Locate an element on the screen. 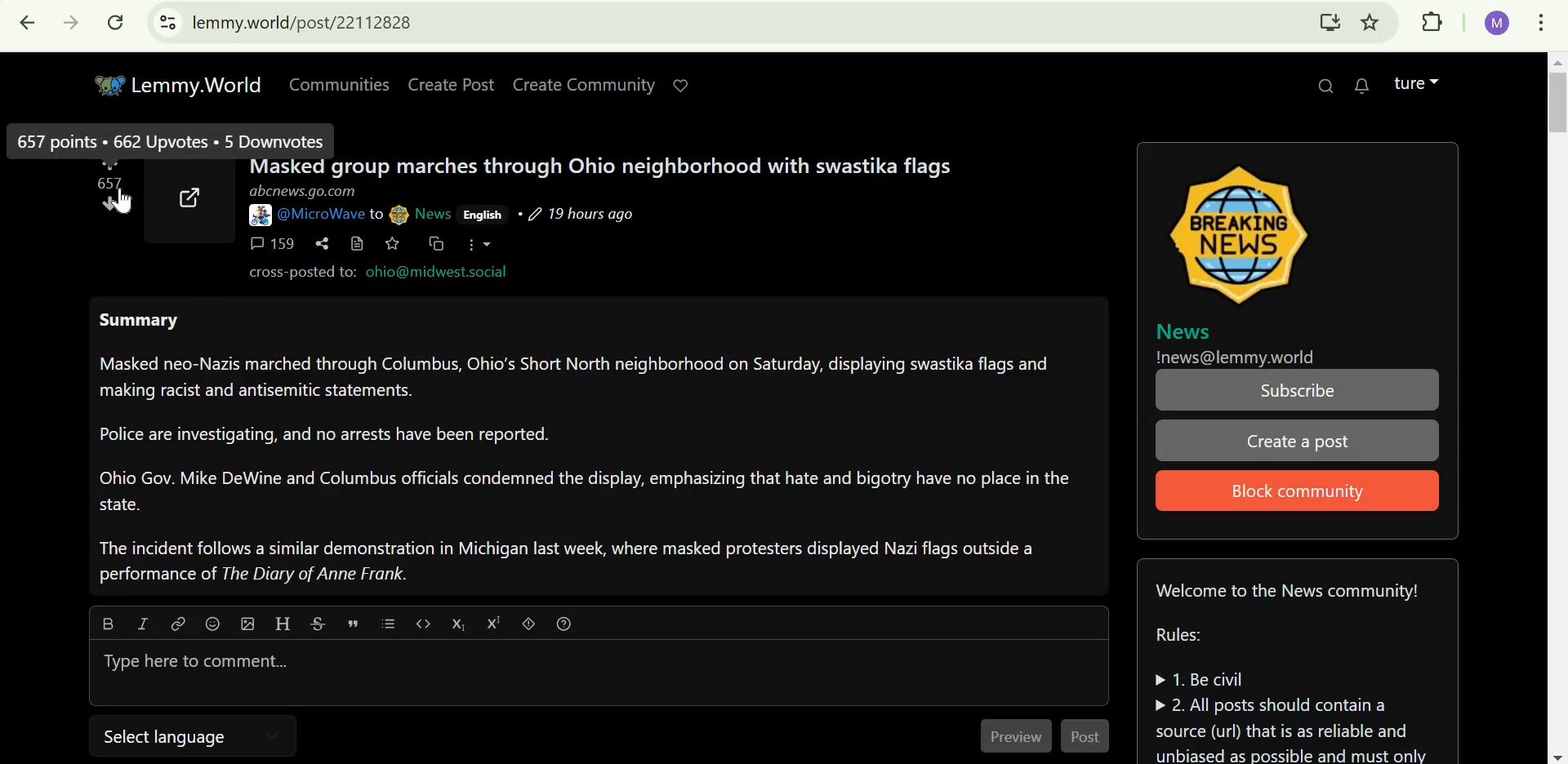 This screenshot has height=764, width=1568. Italic is located at coordinates (141, 623).